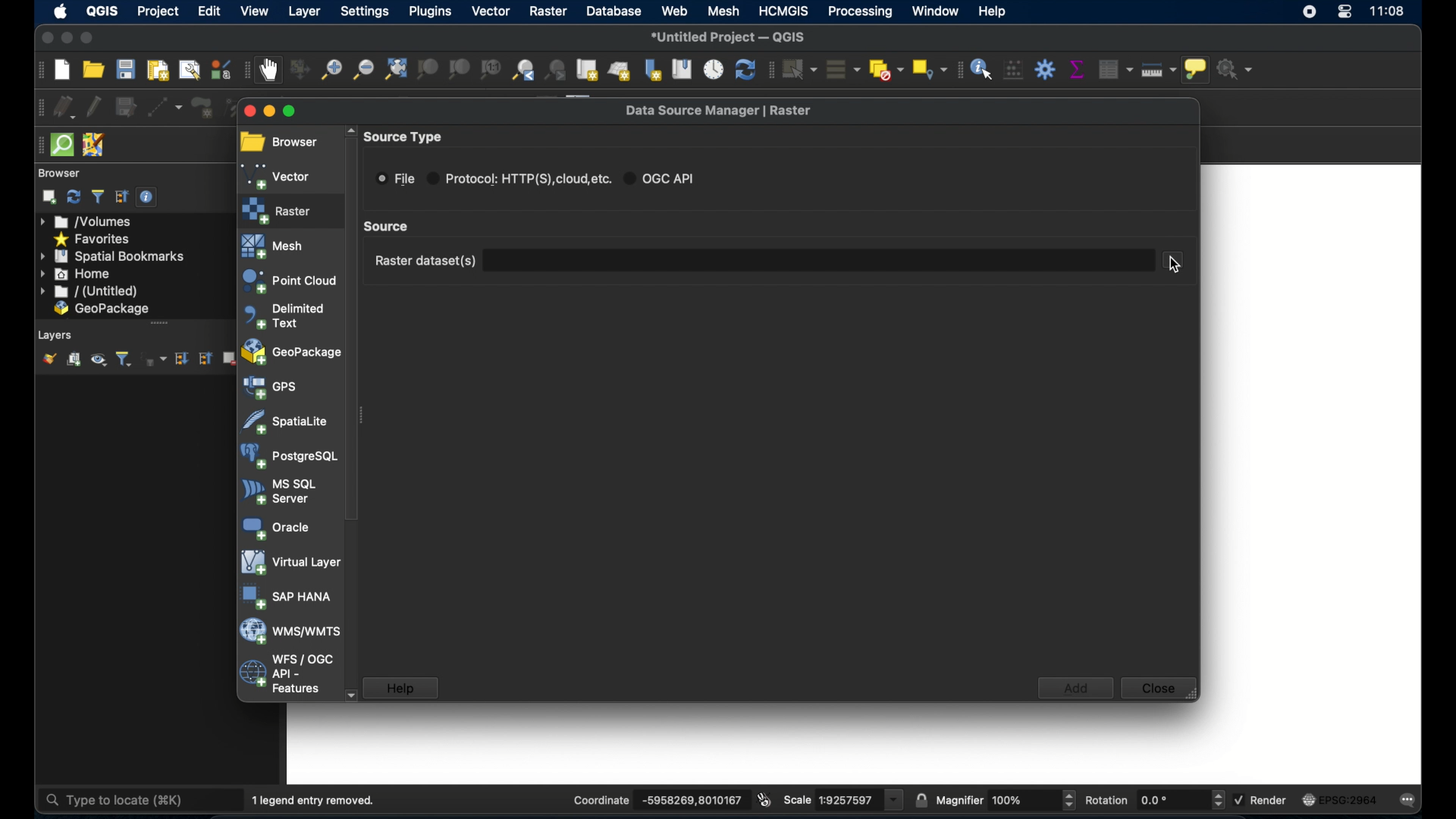  What do you see at coordinates (858, 11) in the screenshot?
I see `processing` at bounding box center [858, 11].